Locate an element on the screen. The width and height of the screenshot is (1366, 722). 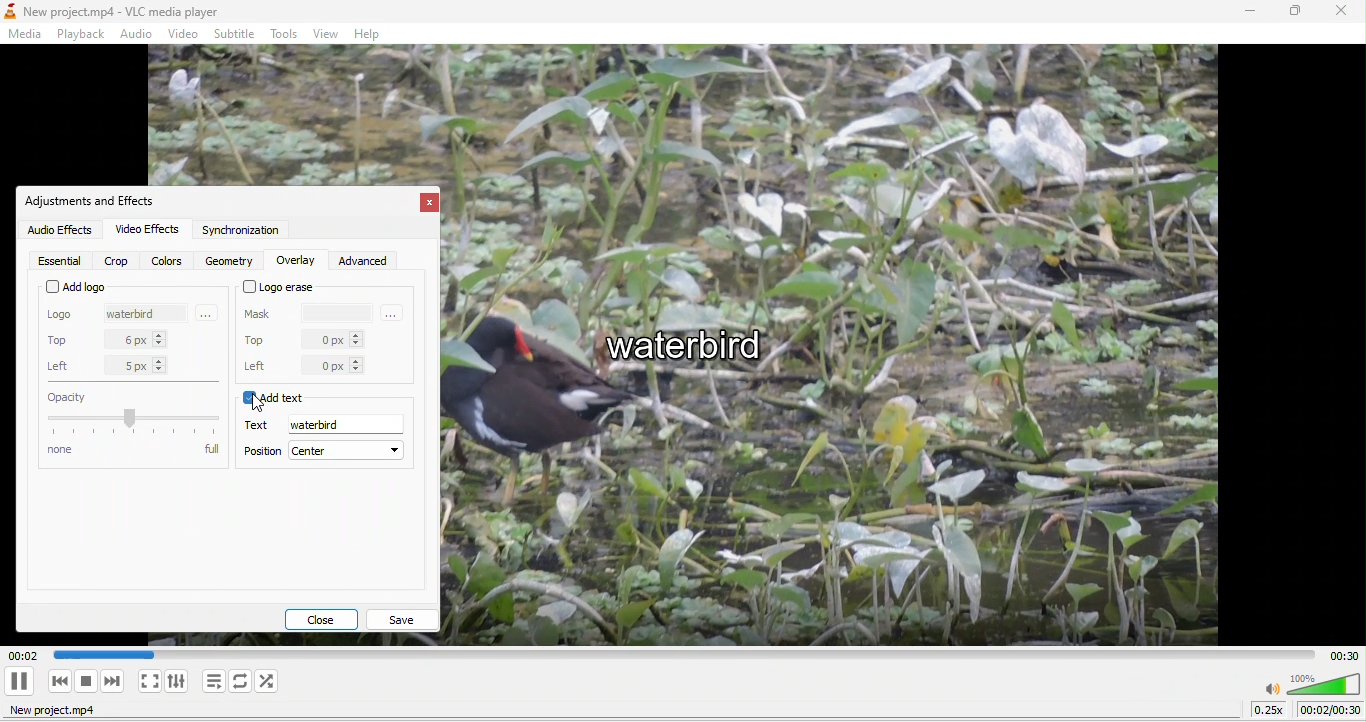
logo erase is located at coordinates (282, 287).